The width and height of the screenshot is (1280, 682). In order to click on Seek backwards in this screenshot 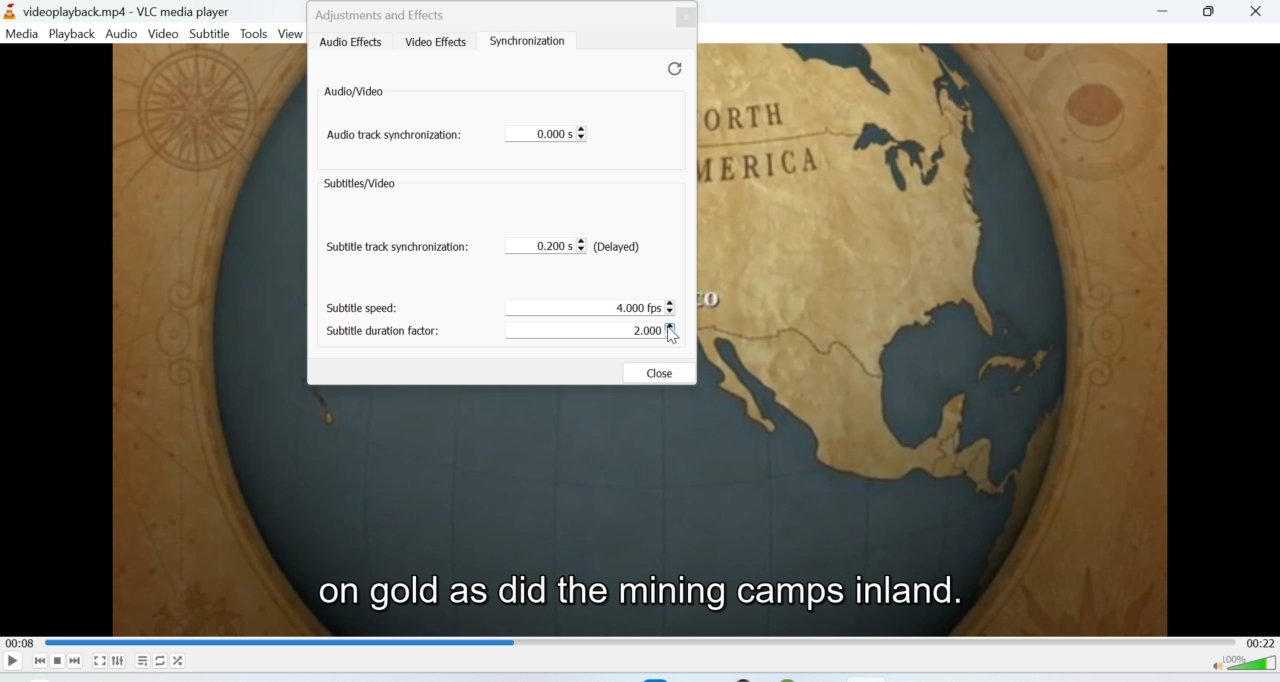, I will do `click(40, 660)`.